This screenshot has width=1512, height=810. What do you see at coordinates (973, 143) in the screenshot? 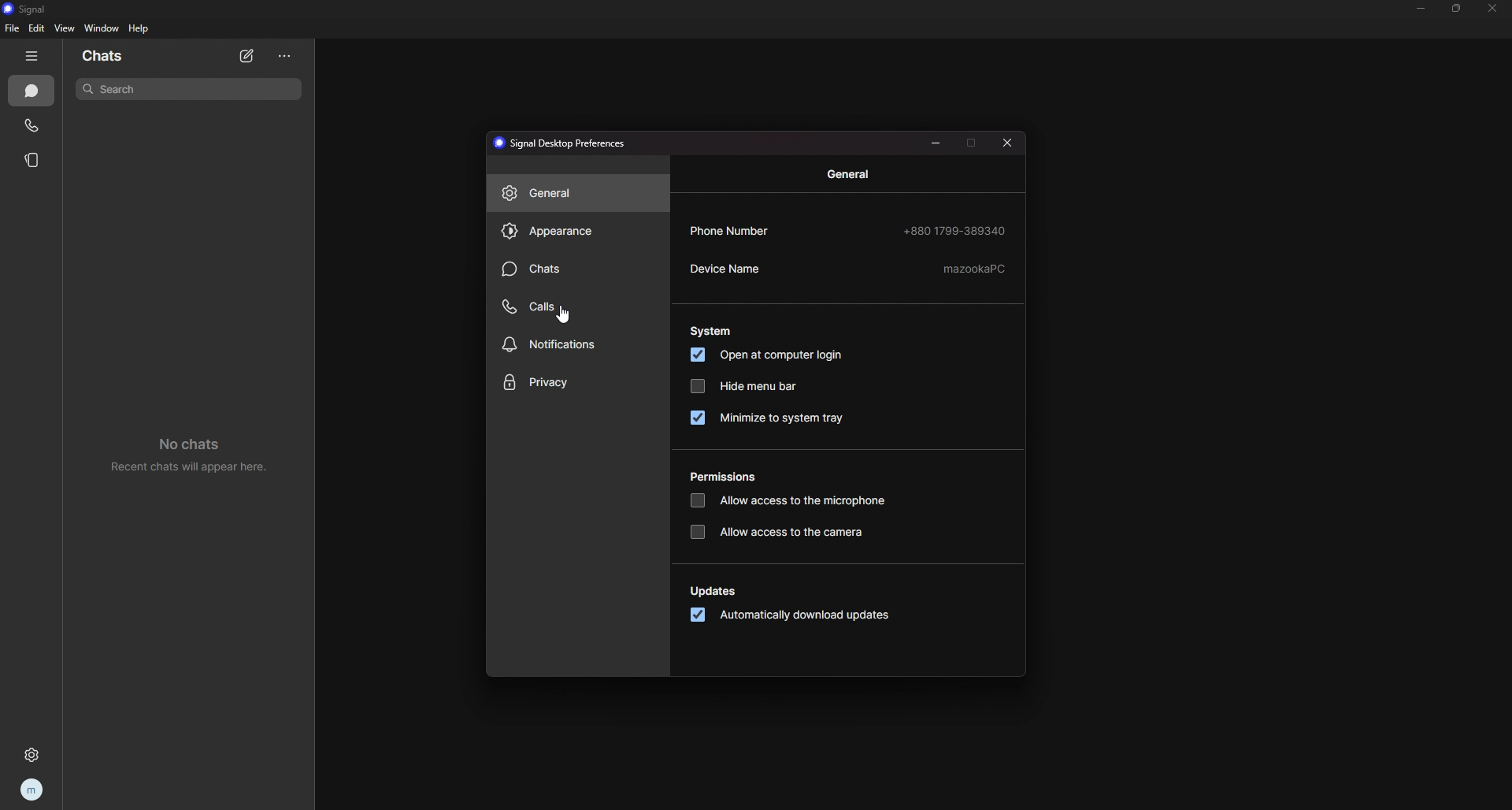
I see `maximize` at bounding box center [973, 143].